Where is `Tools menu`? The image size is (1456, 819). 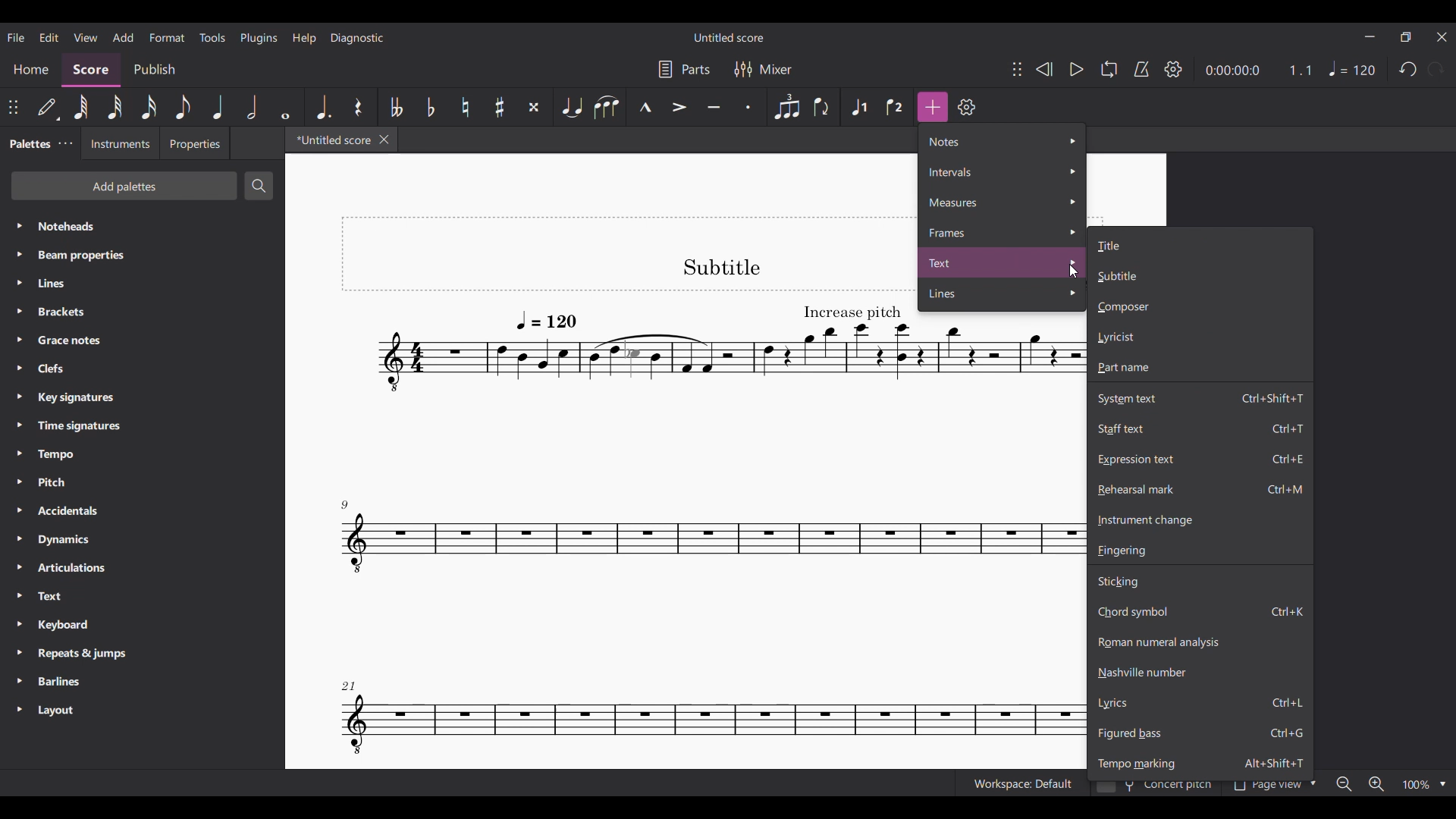
Tools menu is located at coordinates (212, 37).